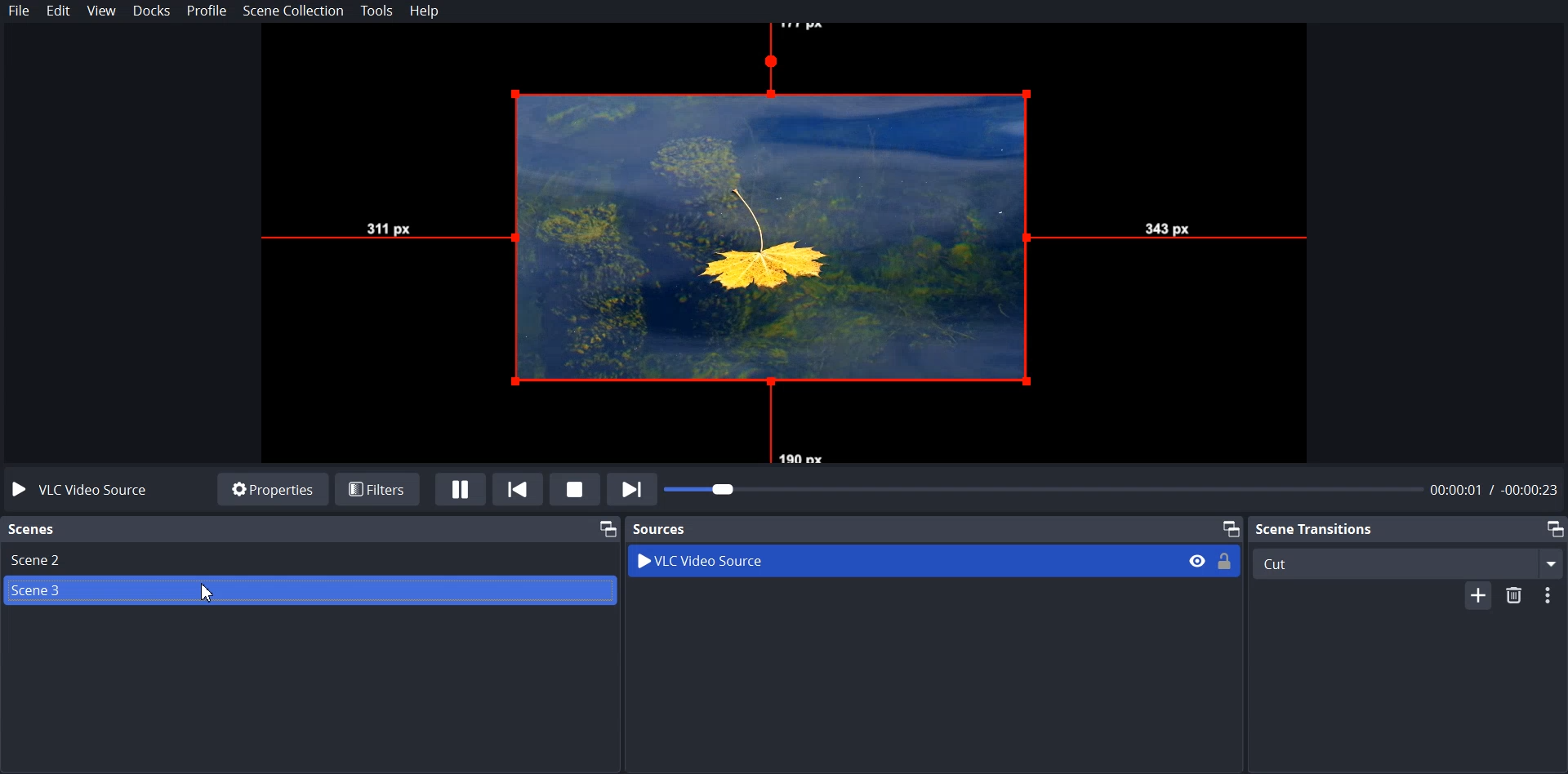 The height and width of the screenshot is (774, 1568). Describe the element at coordinates (574, 488) in the screenshot. I see `Stop Media` at that location.